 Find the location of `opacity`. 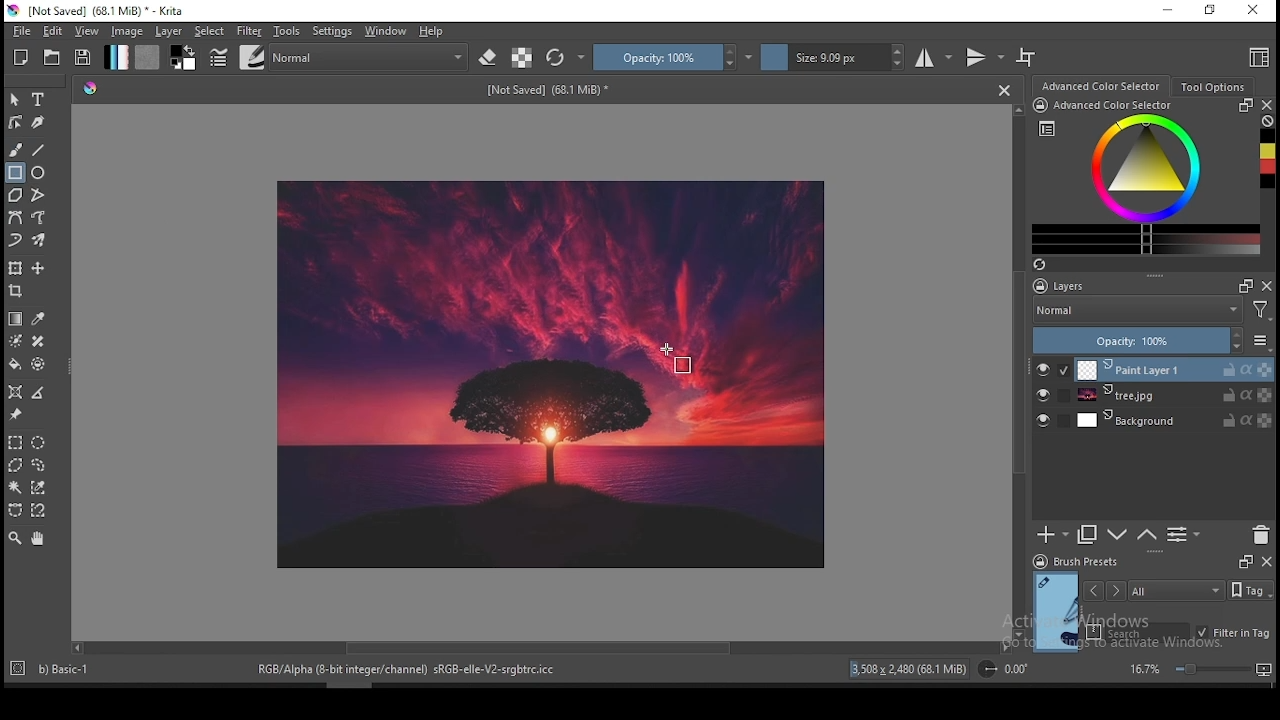

opacity is located at coordinates (1152, 340).